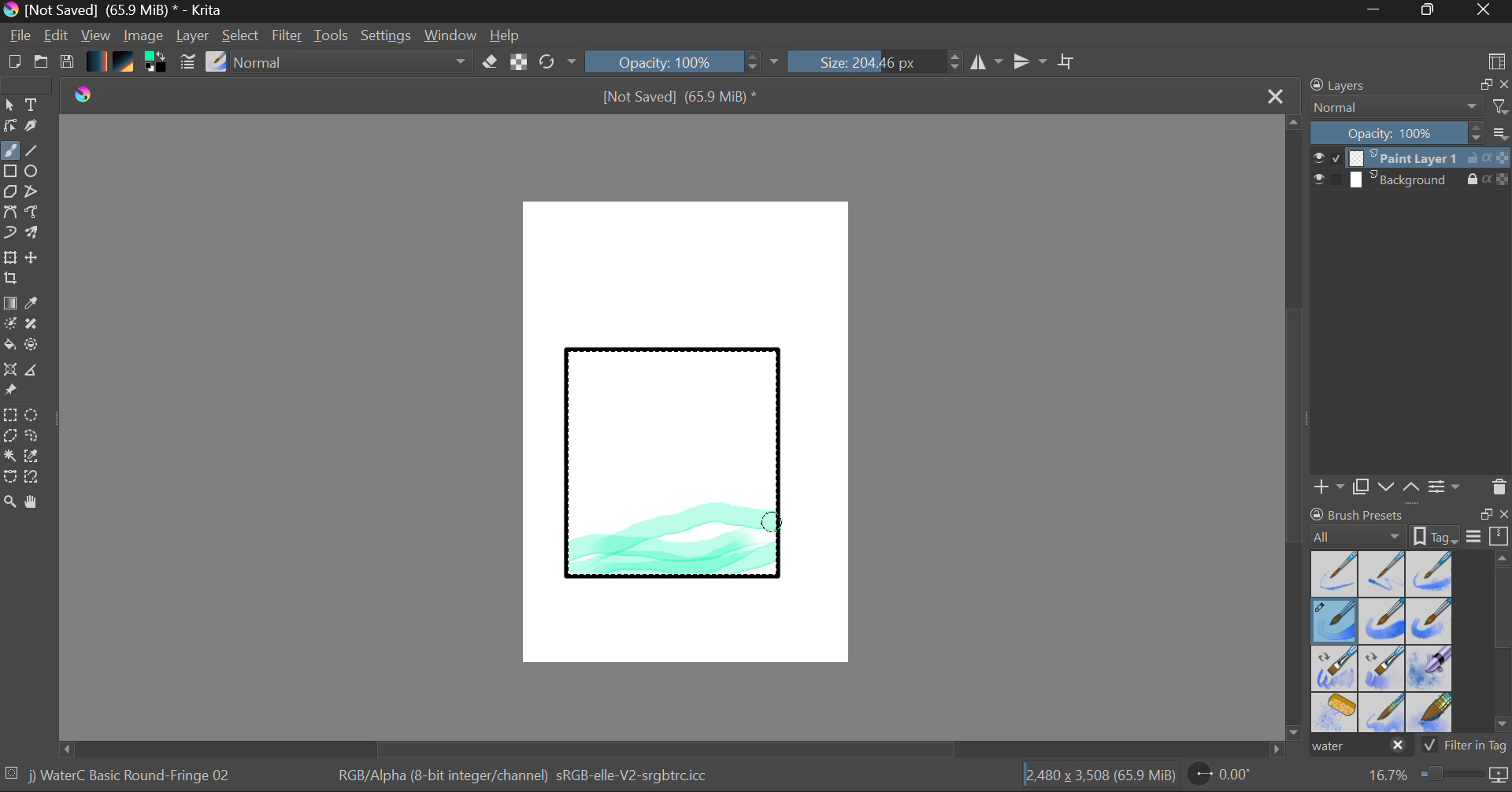  Describe the element at coordinates (132, 777) in the screenshot. I see `Brush Selected` at that location.